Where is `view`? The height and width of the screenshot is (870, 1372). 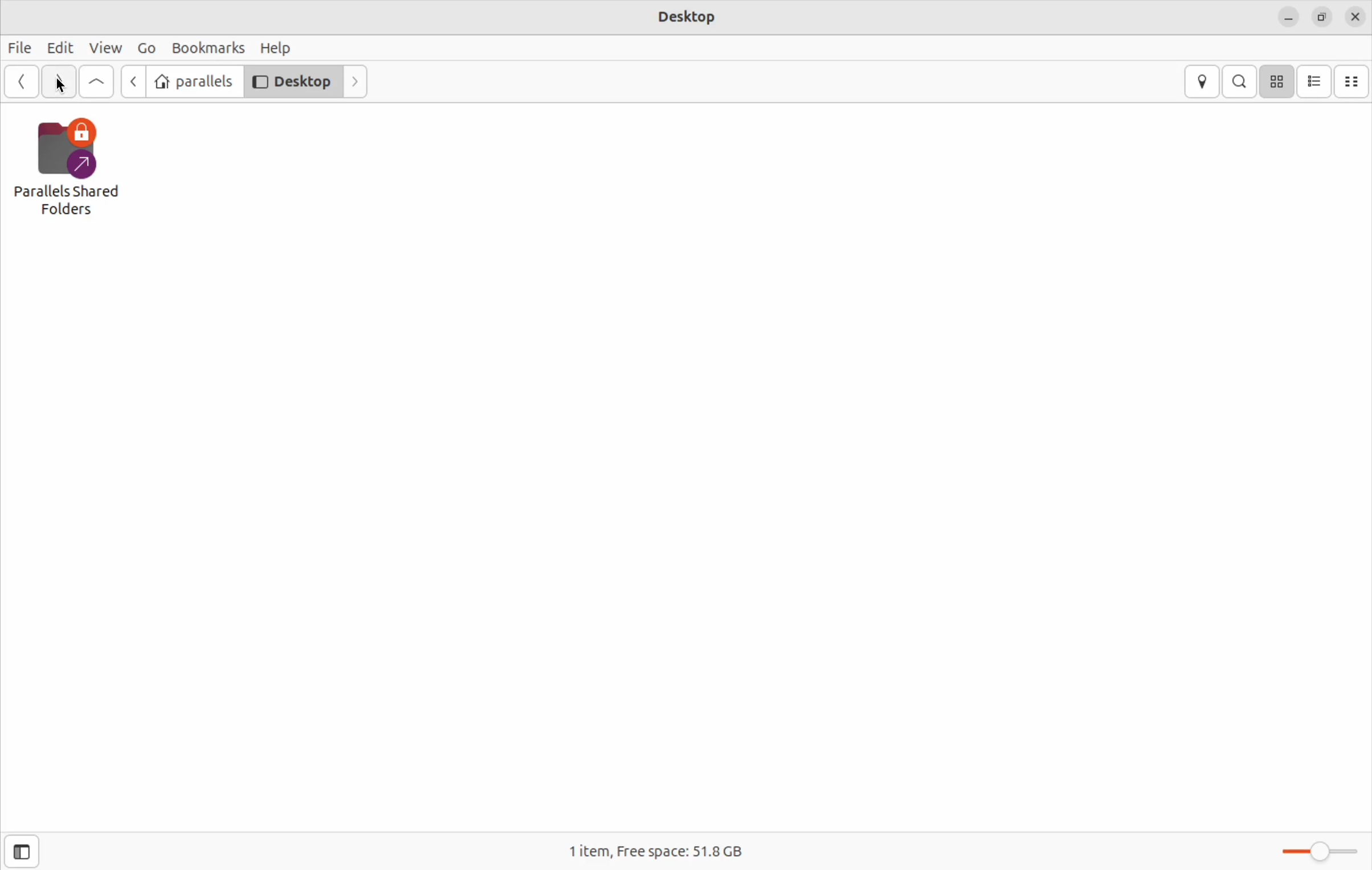
view is located at coordinates (105, 46).